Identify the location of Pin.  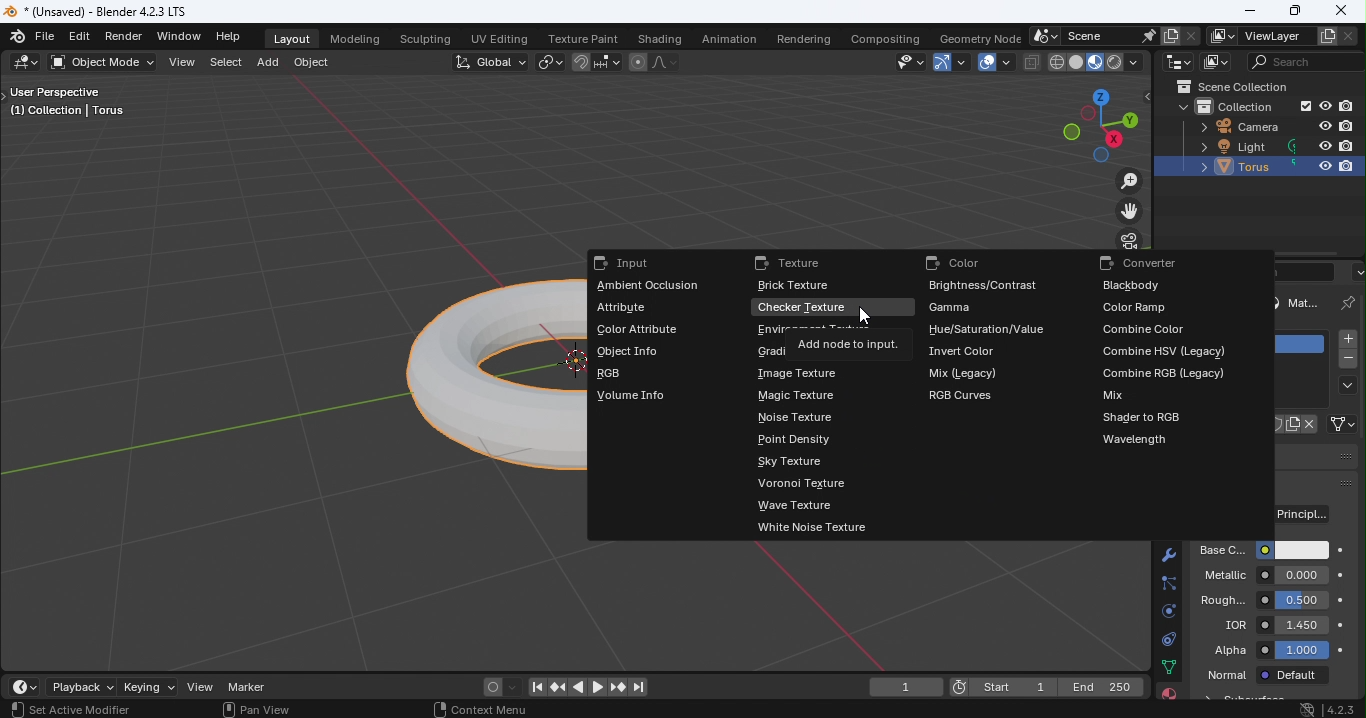
(1350, 303).